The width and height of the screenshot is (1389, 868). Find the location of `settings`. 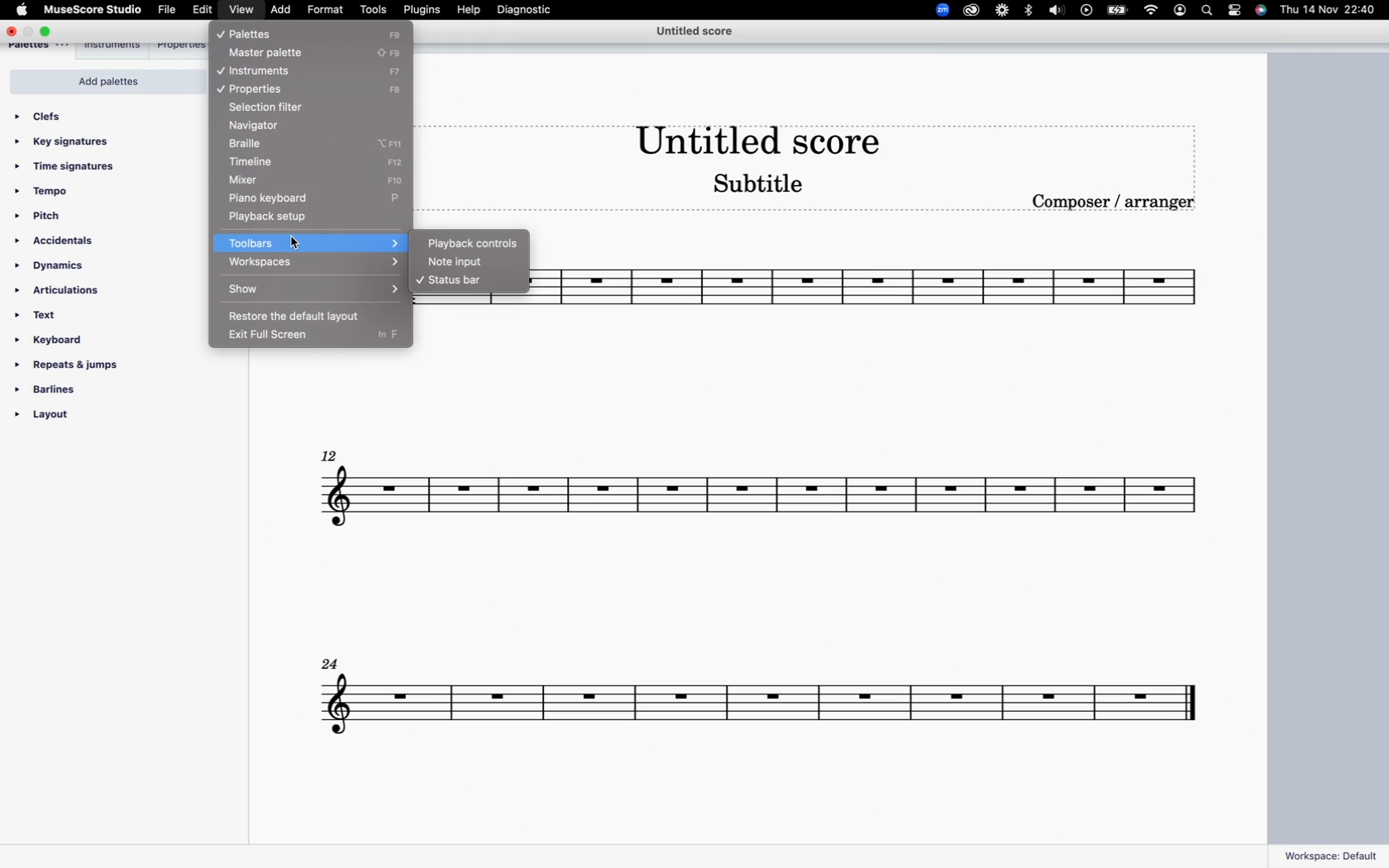

settings is located at coordinates (1237, 12).